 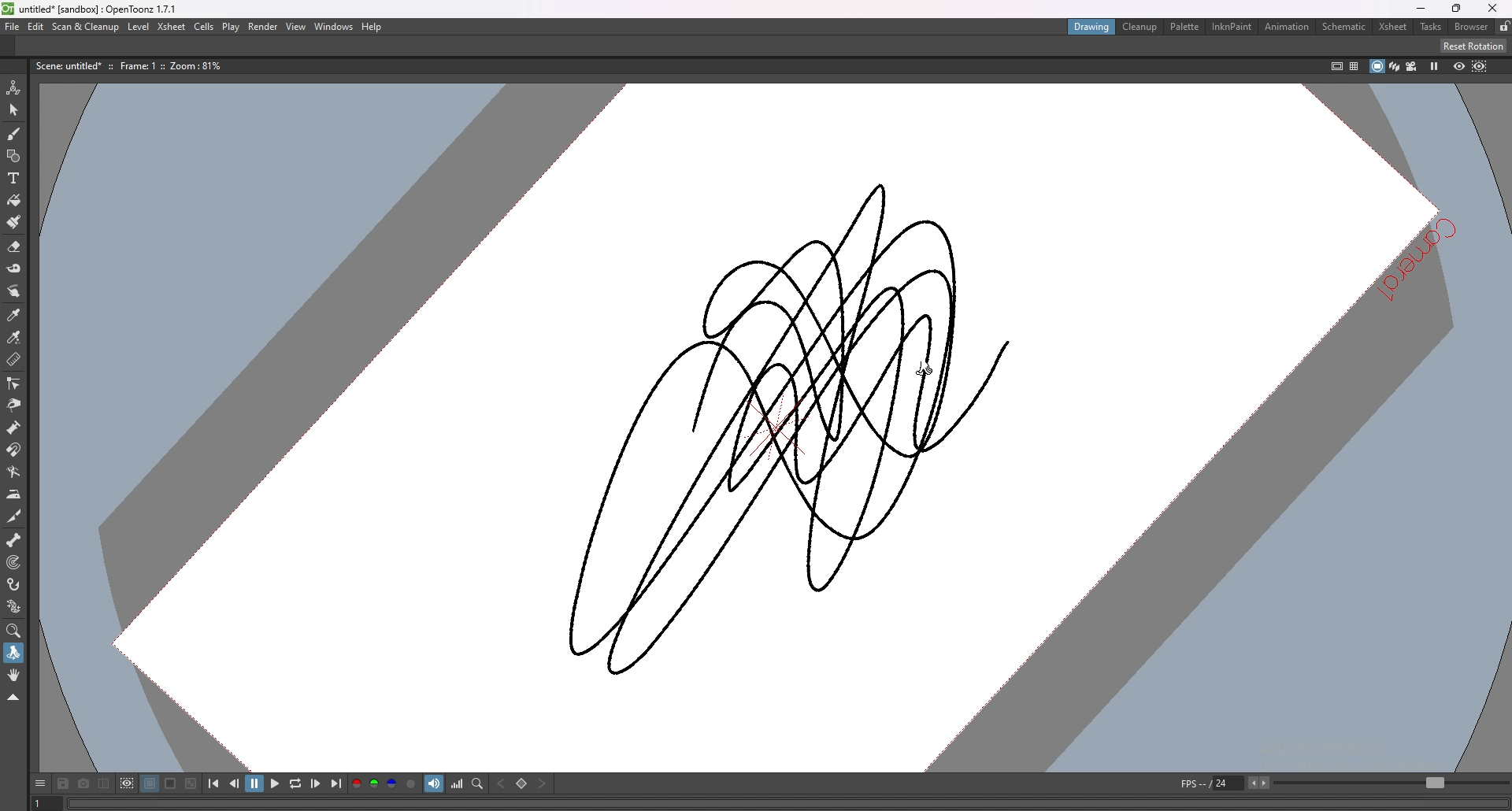 I want to click on inknpaint, so click(x=1236, y=26).